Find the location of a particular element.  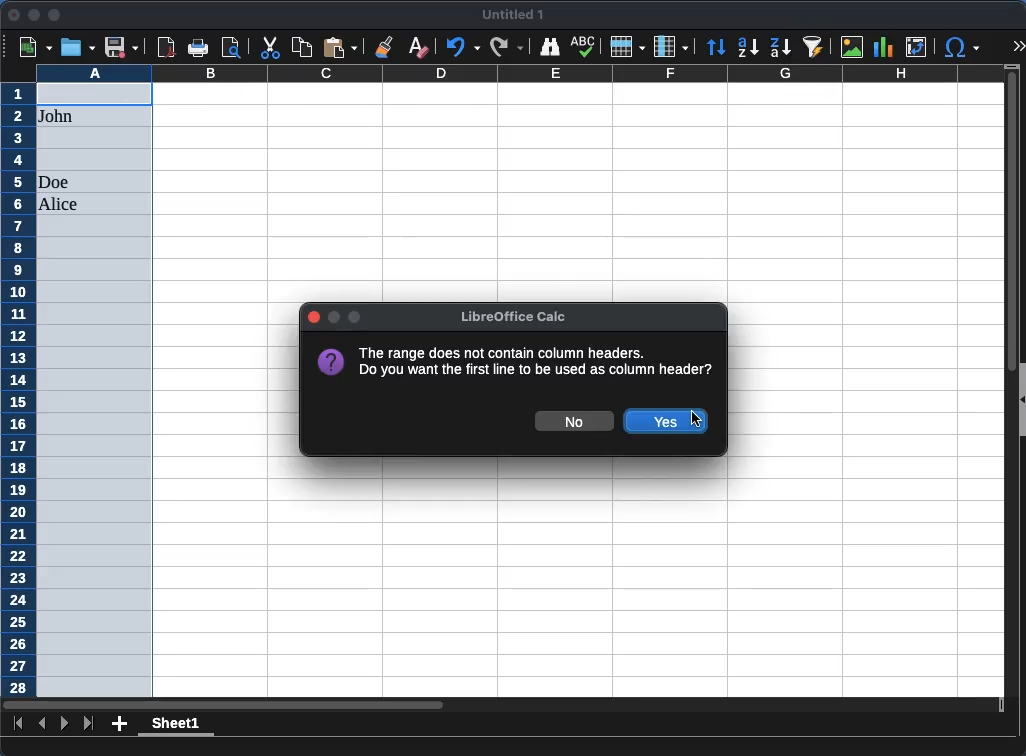

undo is located at coordinates (461, 48).